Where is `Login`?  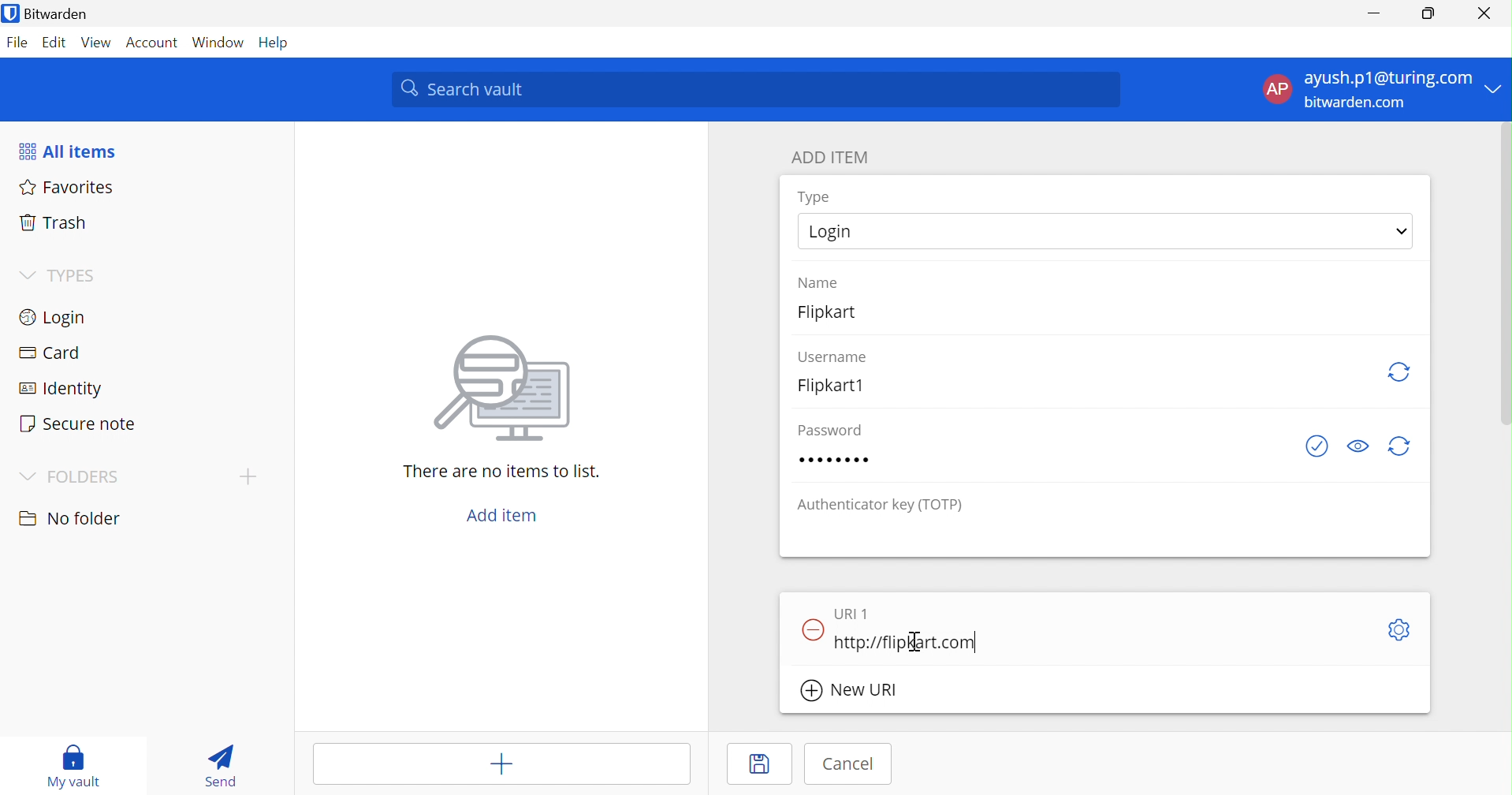 Login is located at coordinates (832, 233).